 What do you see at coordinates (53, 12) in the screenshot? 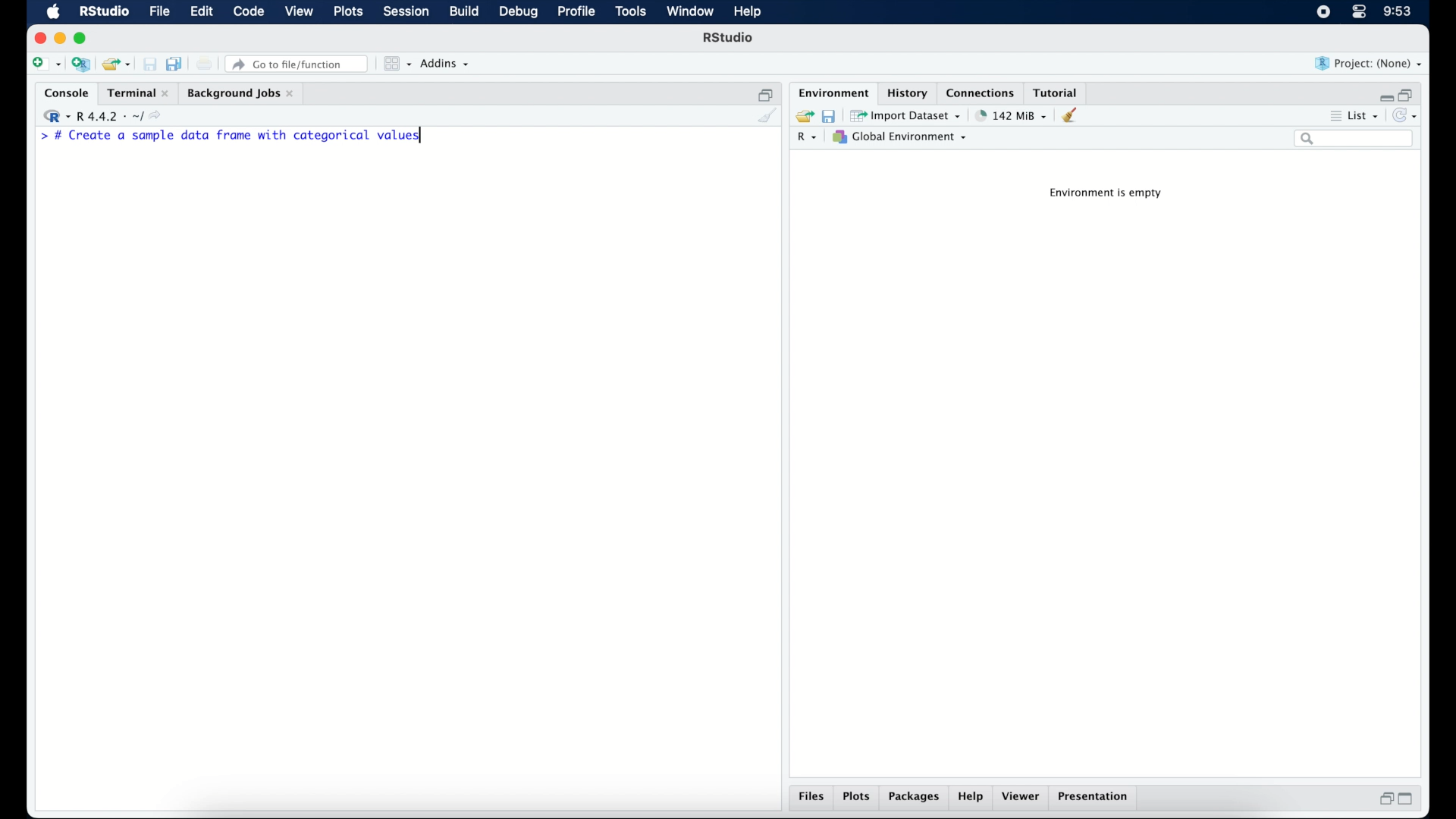
I see `macOS ` at bounding box center [53, 12].